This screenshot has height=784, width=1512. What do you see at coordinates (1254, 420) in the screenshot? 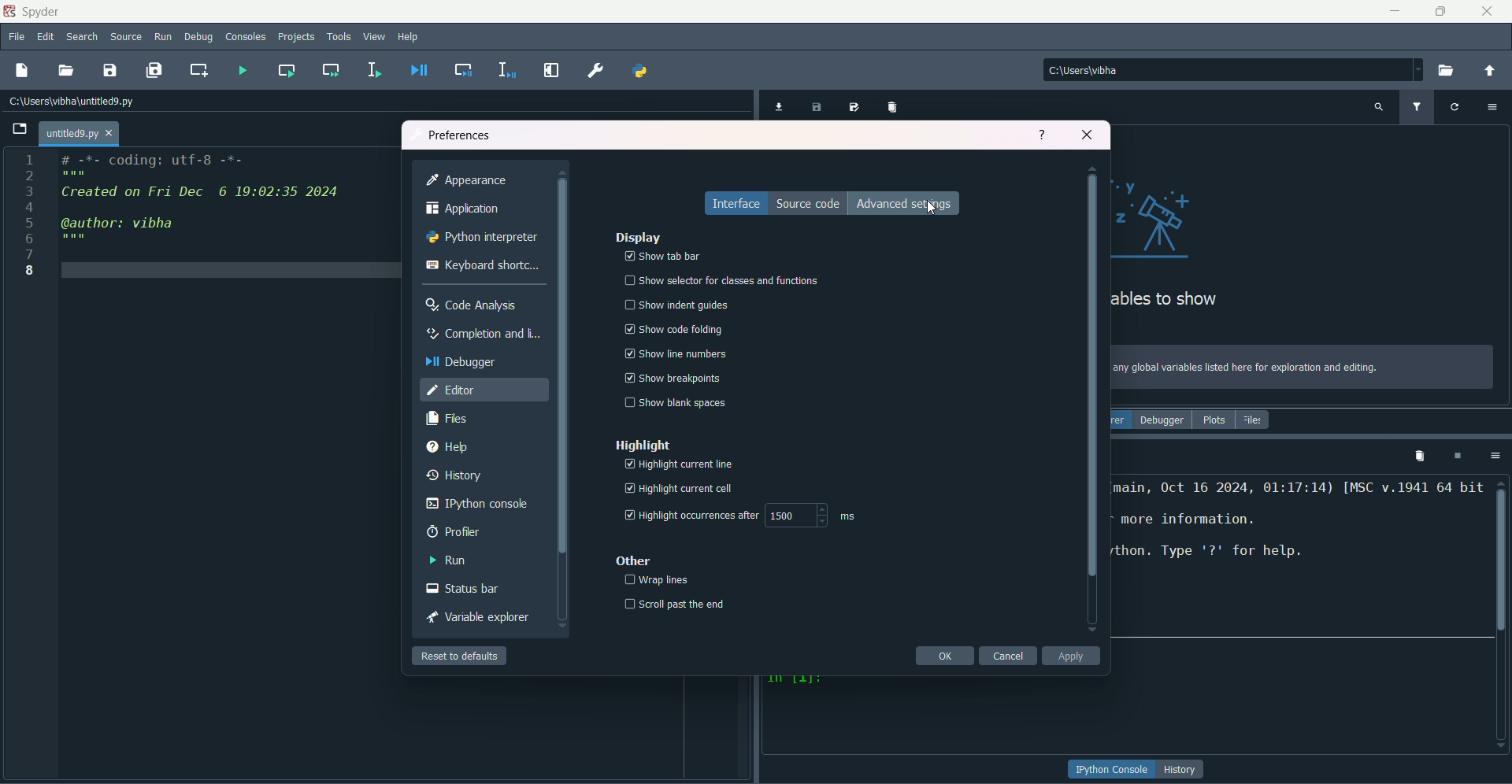
I see `files` at bounding box center [1254, 420].